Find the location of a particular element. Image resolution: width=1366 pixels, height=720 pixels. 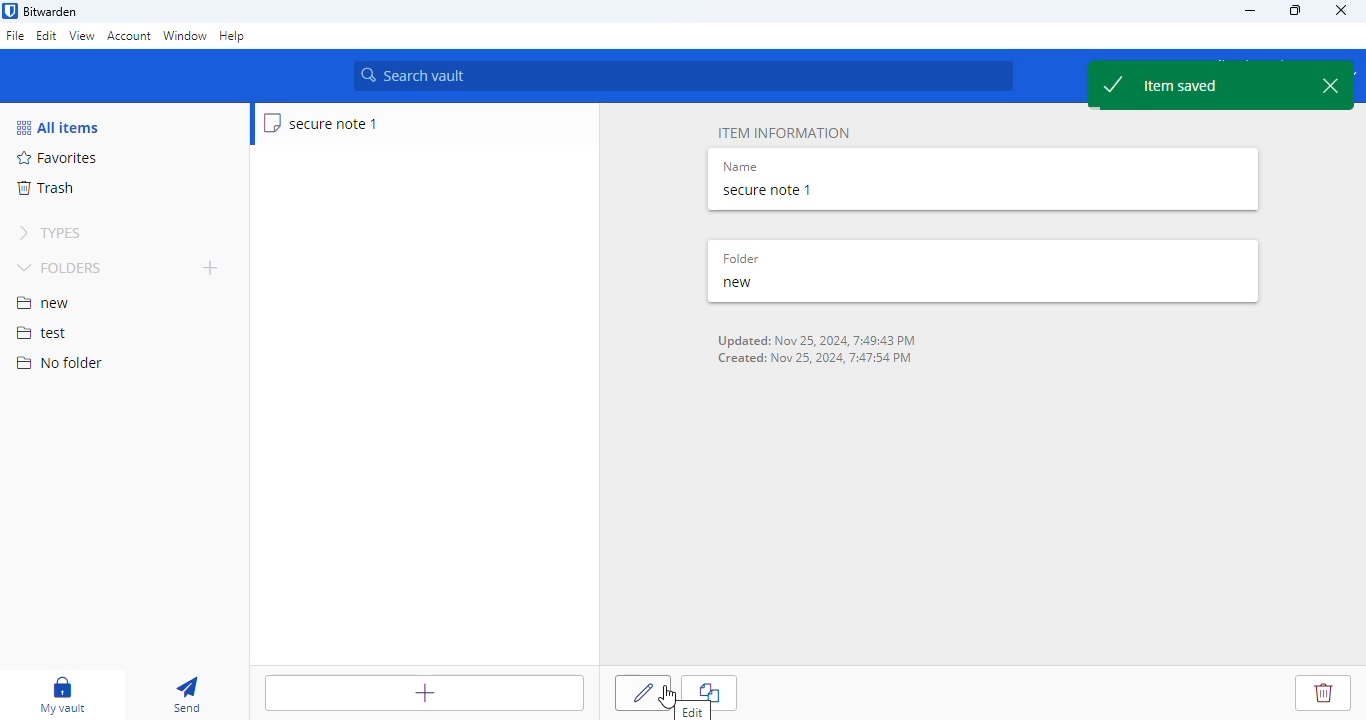

logo is located at coordinates (10, 11).